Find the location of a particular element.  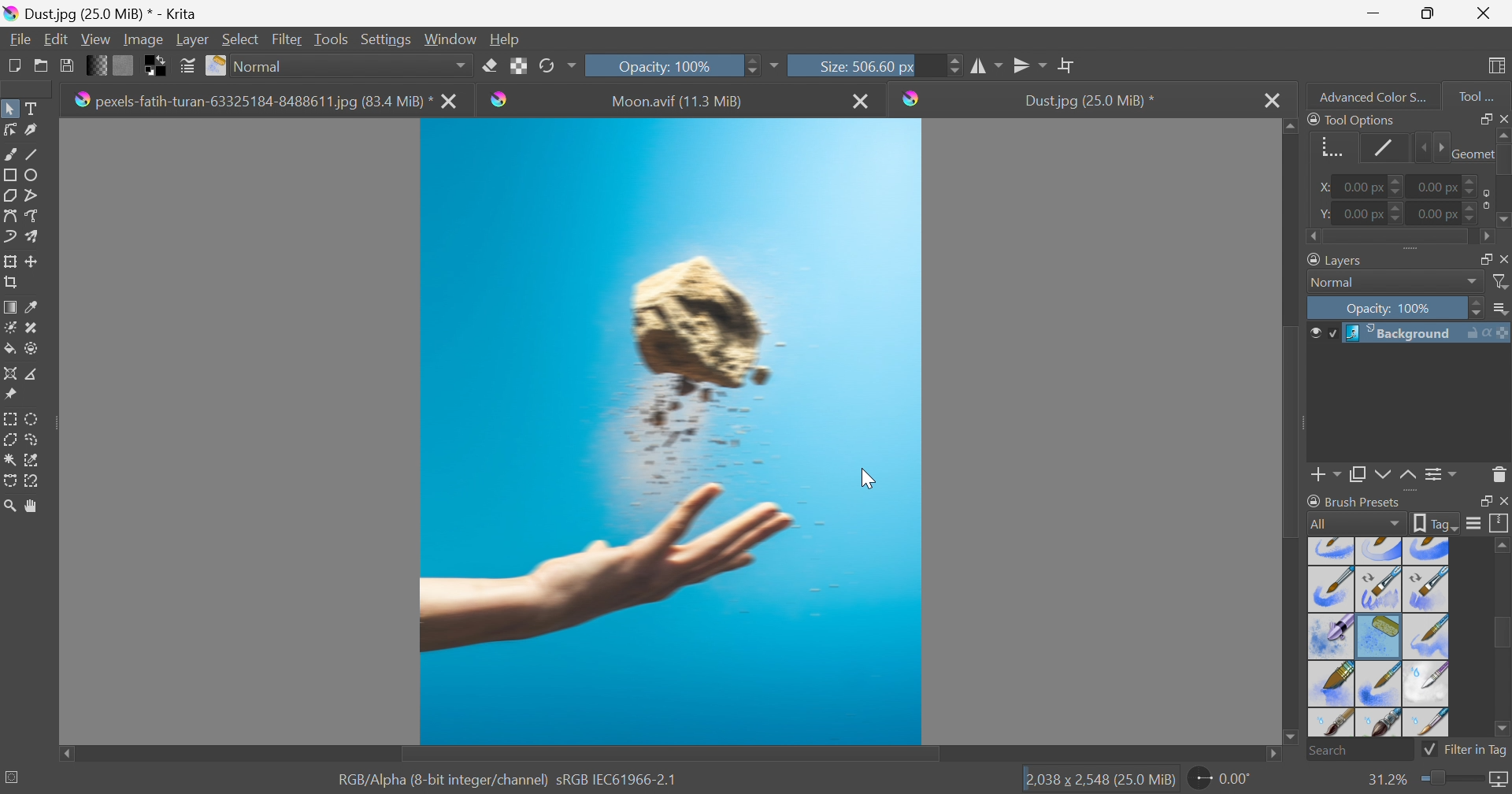

Slider is located at coordinates (954, 65).